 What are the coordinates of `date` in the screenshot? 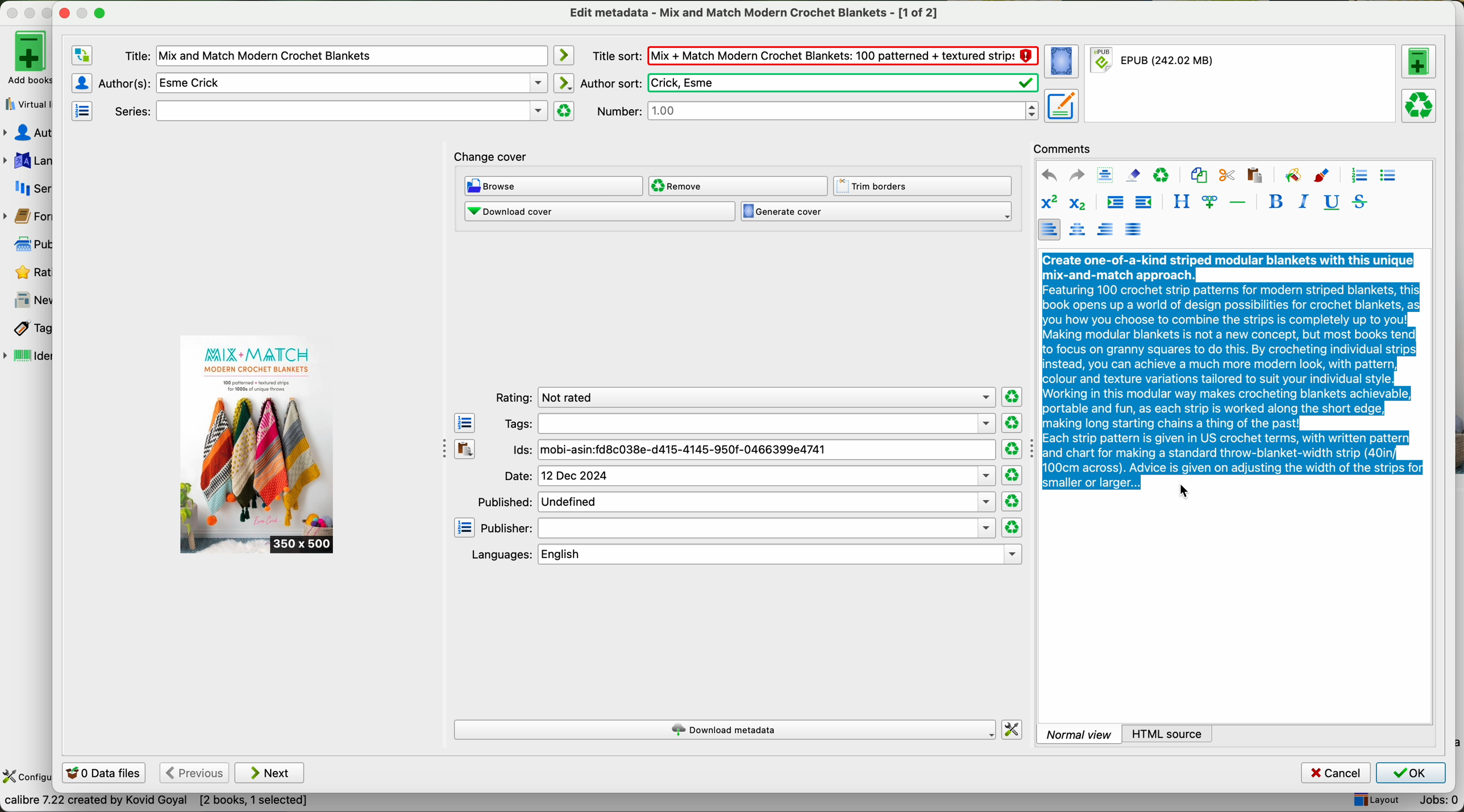 It's located at (749, 476).